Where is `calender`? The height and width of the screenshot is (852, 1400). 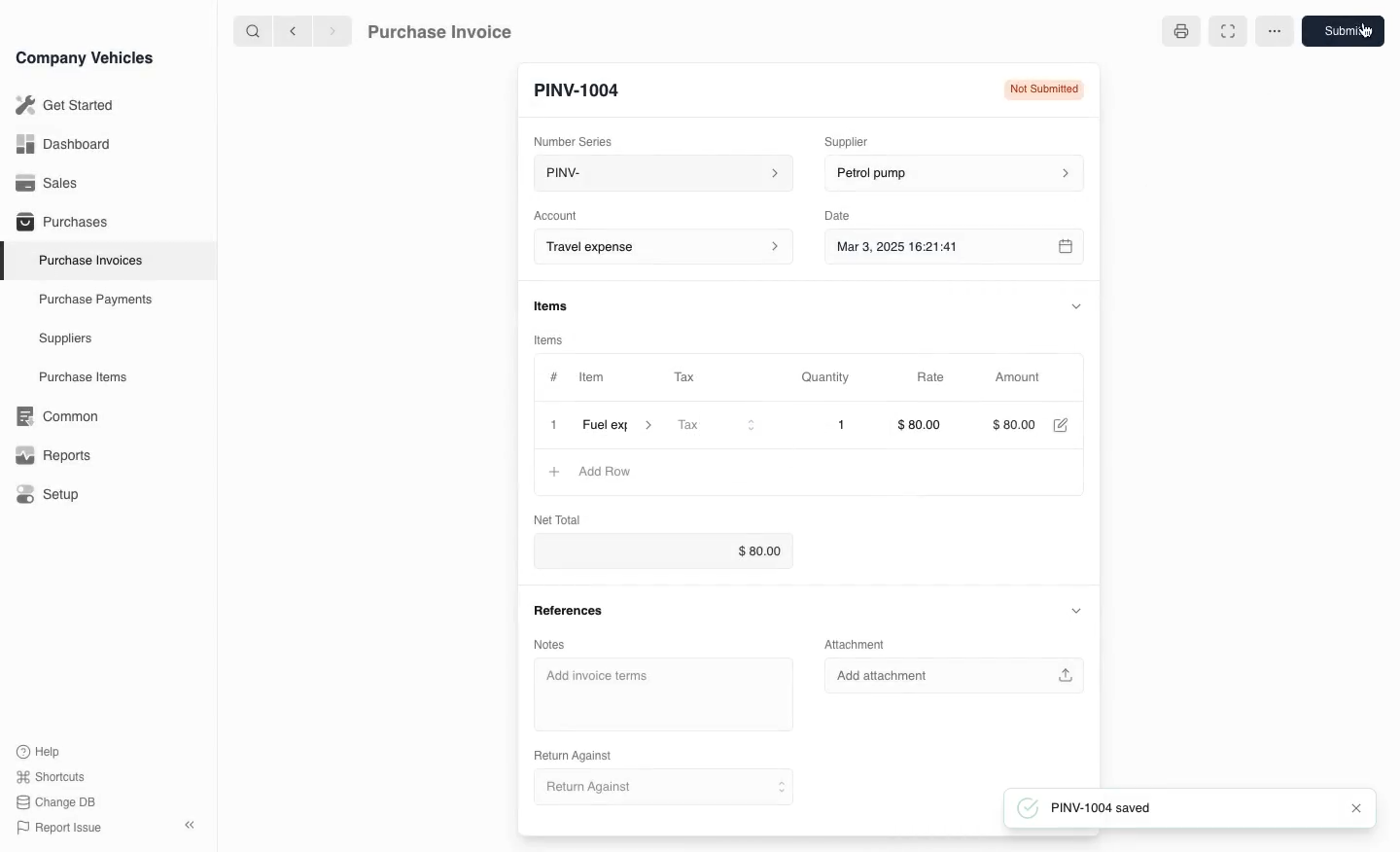 calender is located at coordinates (1067, 248).